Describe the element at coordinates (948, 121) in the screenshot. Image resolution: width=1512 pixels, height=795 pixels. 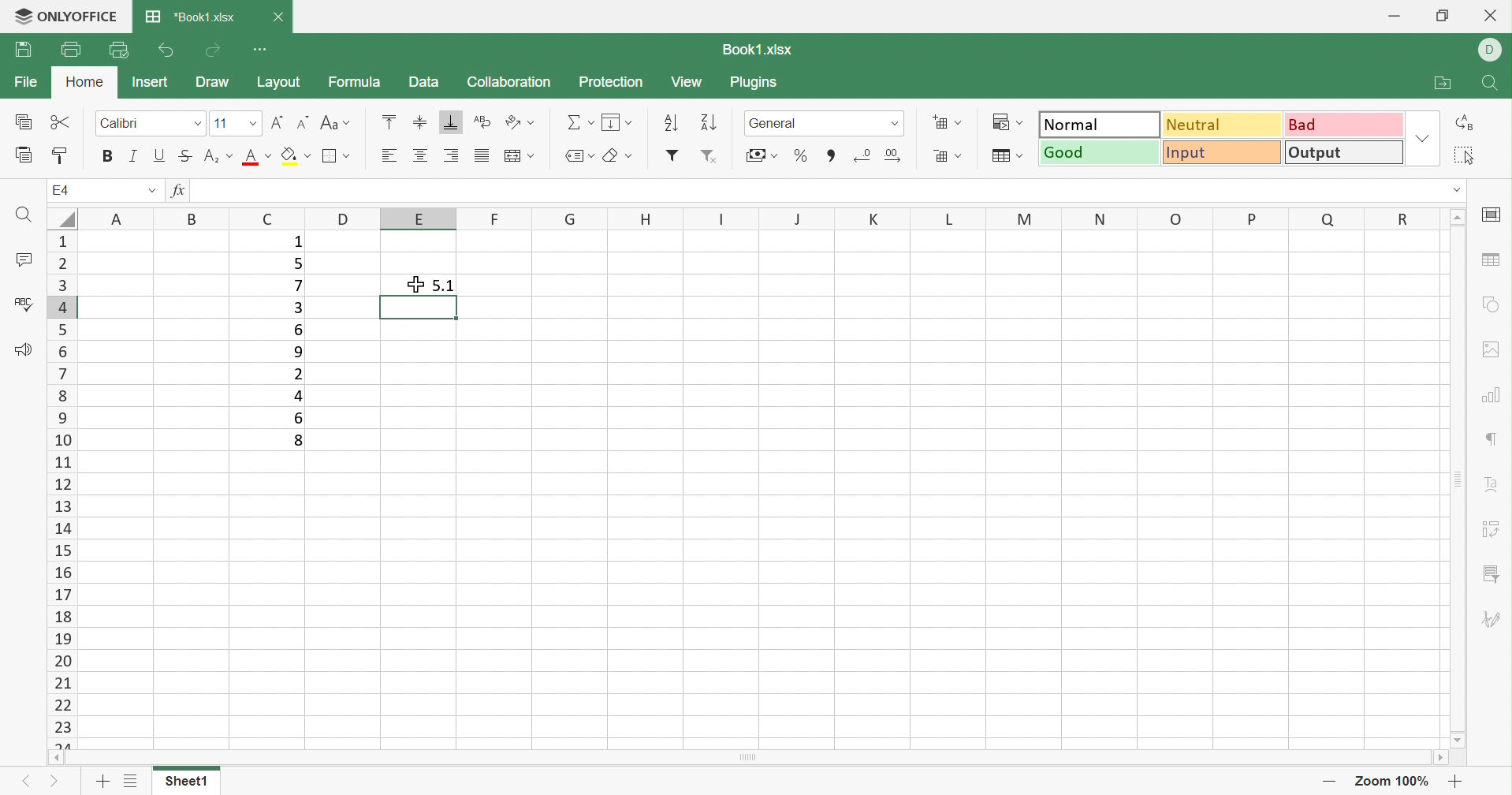
I see `Insert cells` at that location.